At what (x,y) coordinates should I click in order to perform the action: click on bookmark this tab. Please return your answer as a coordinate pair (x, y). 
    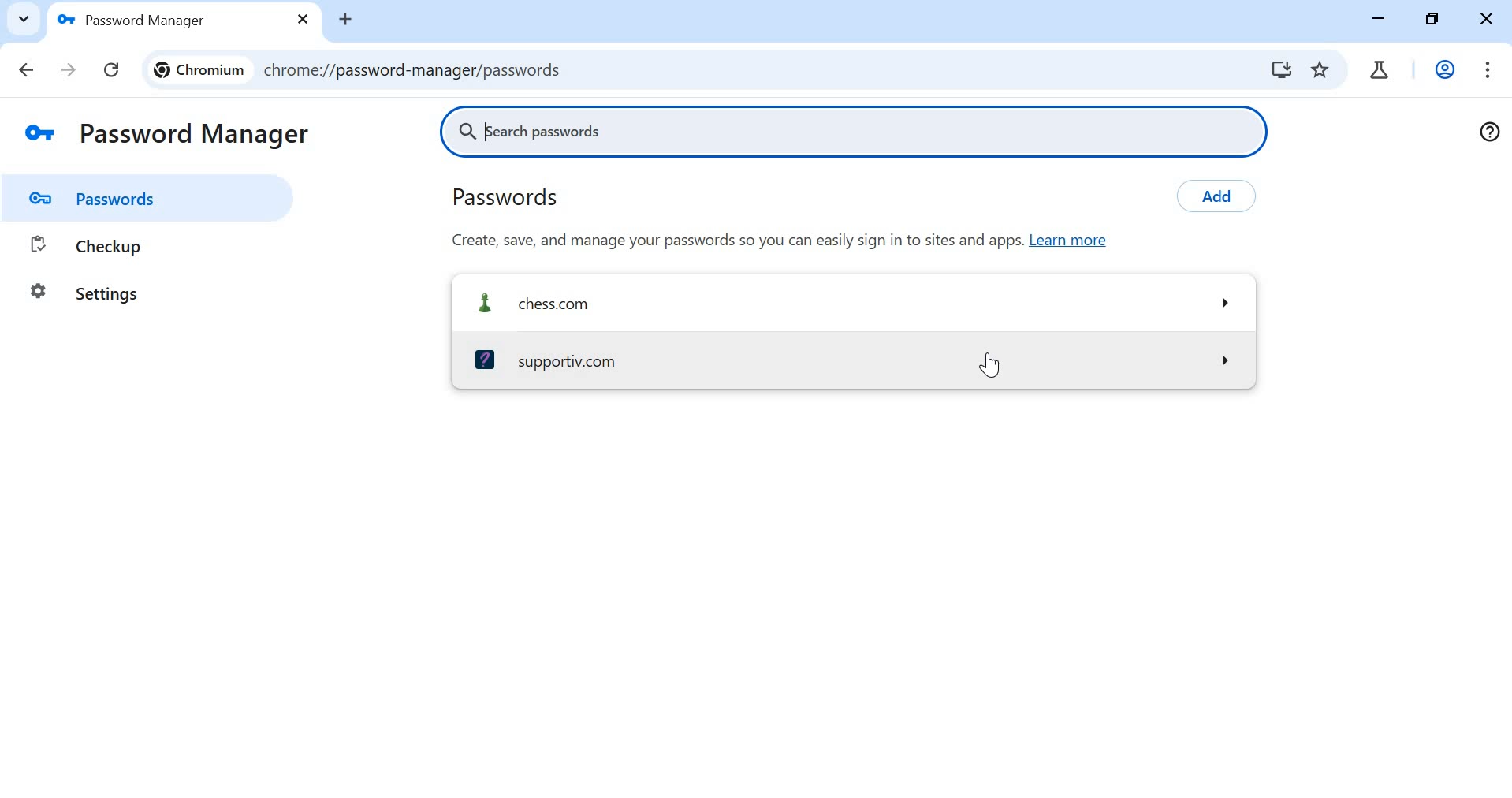
    Looking at the image, I should click on (1322, 72).